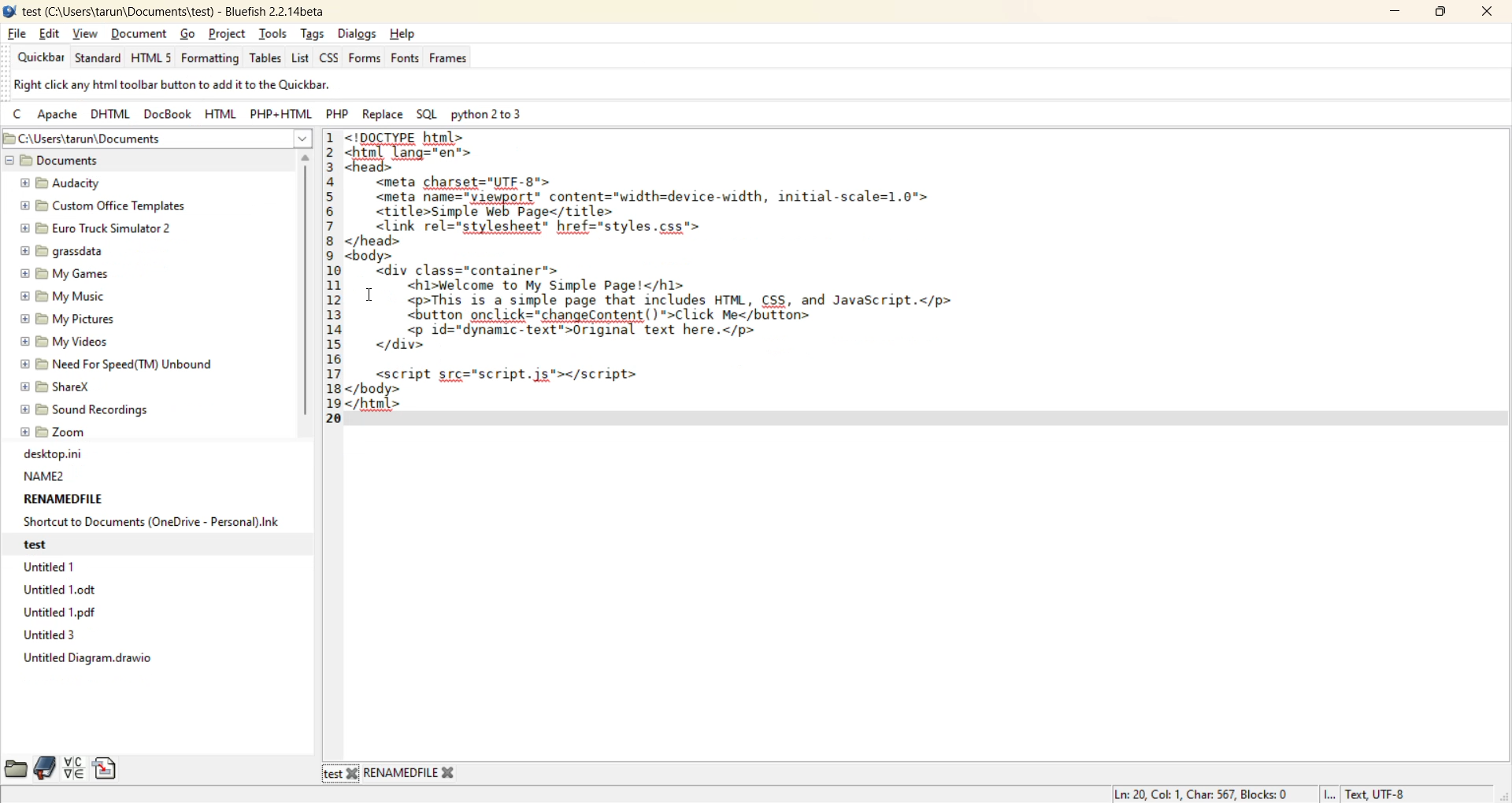 The width and height of the screenshot is (1512, 803). What do you see at coordinates (85, 32) in the screenshot?
I see `view` at bounding box center [85, 32].